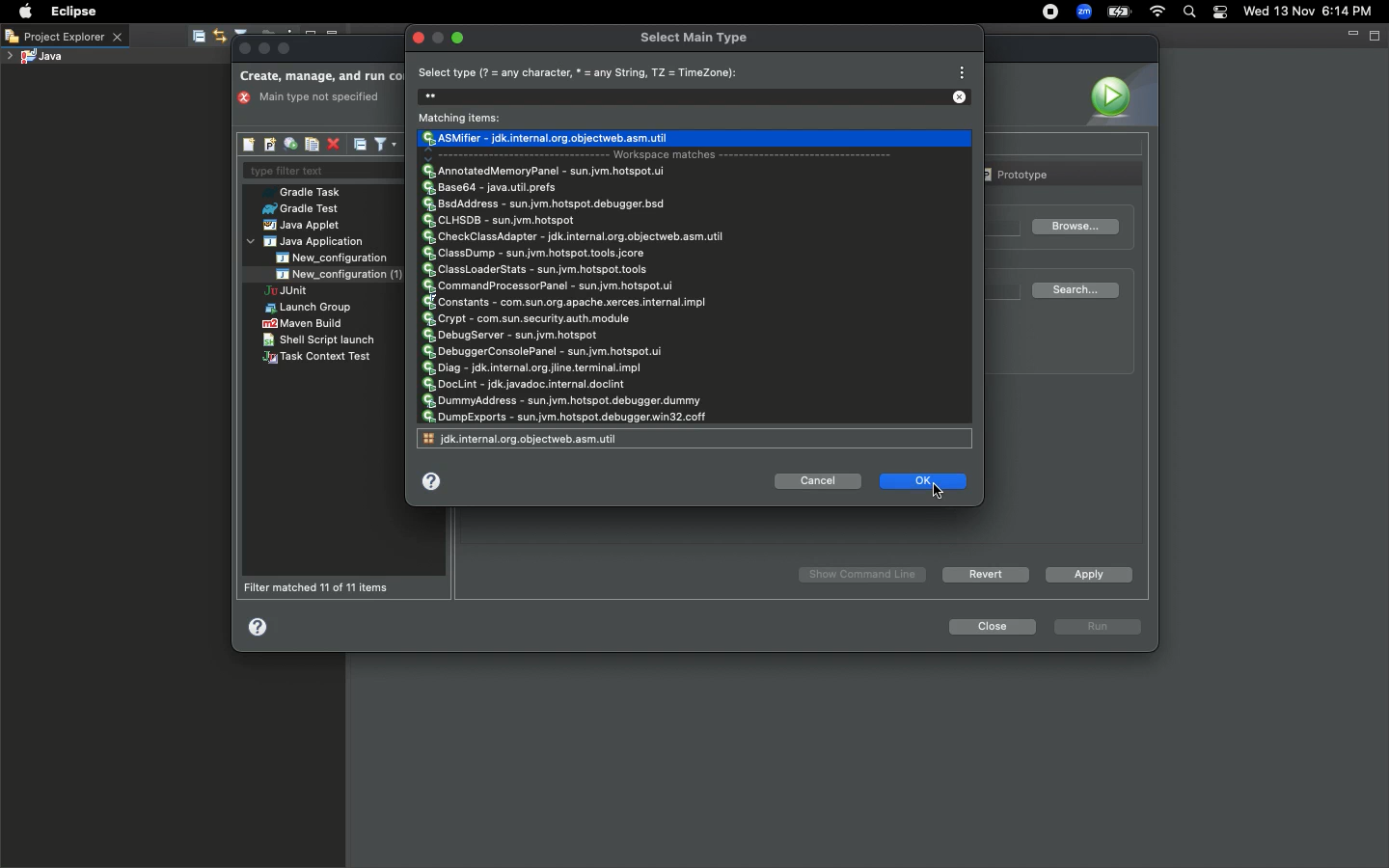  Describe the element at coordinates (322, 587) in the screenshot. I see `Filter matched 11 of 11 items` at that location.